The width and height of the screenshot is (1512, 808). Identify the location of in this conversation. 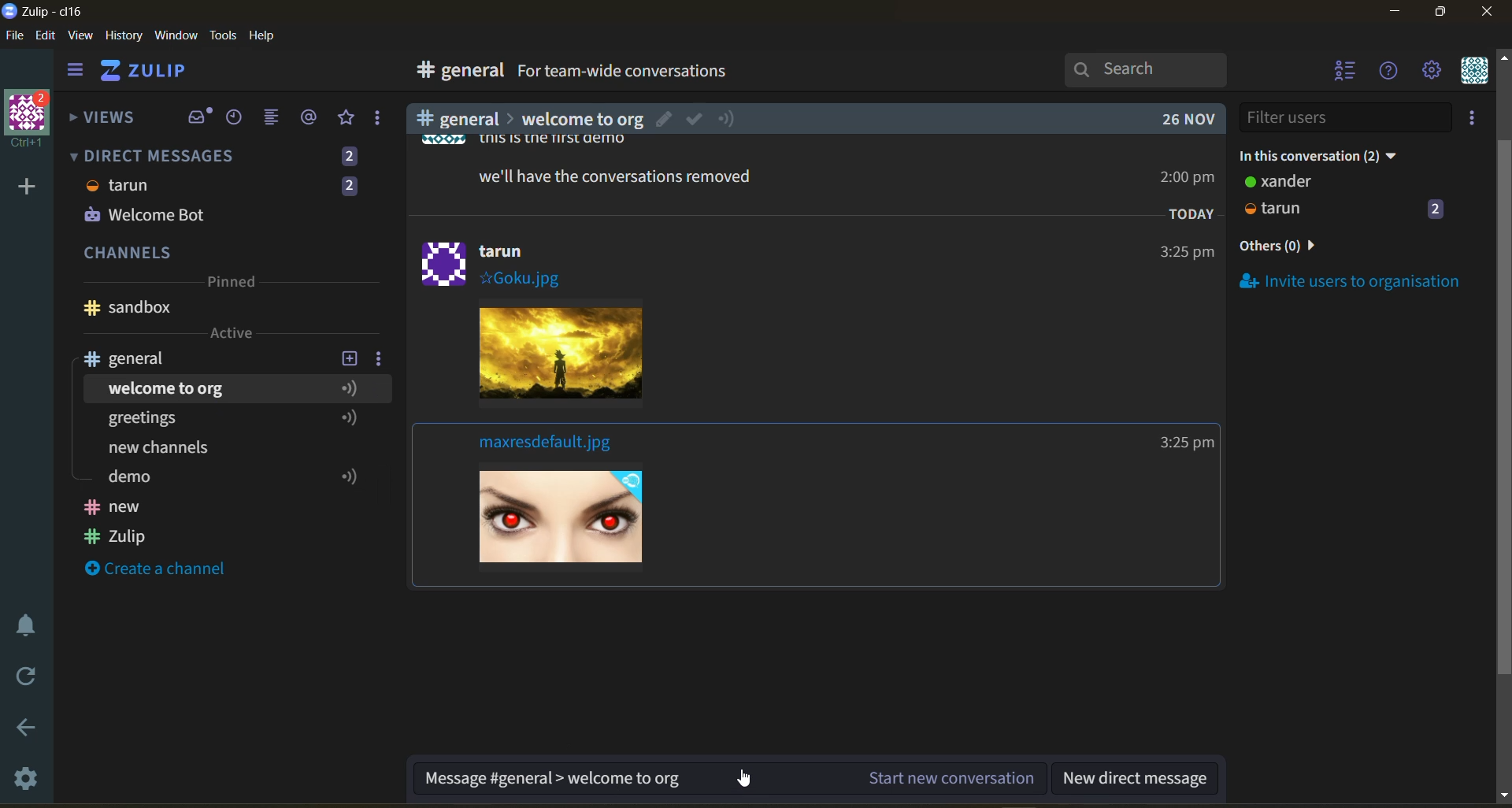
(1335, 153).